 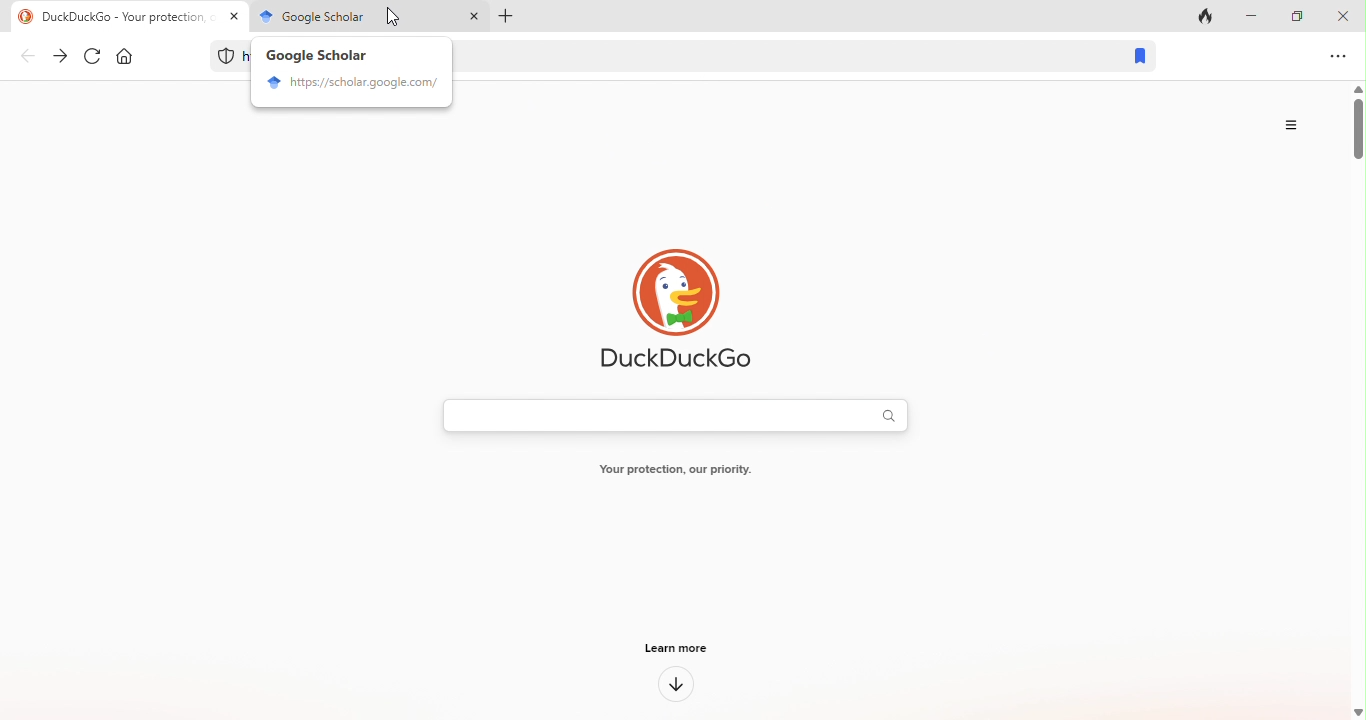 What do you see at coordinates (1210, 15) in the screenshot?
I see `track tab` at bounding box center [1210, 15].